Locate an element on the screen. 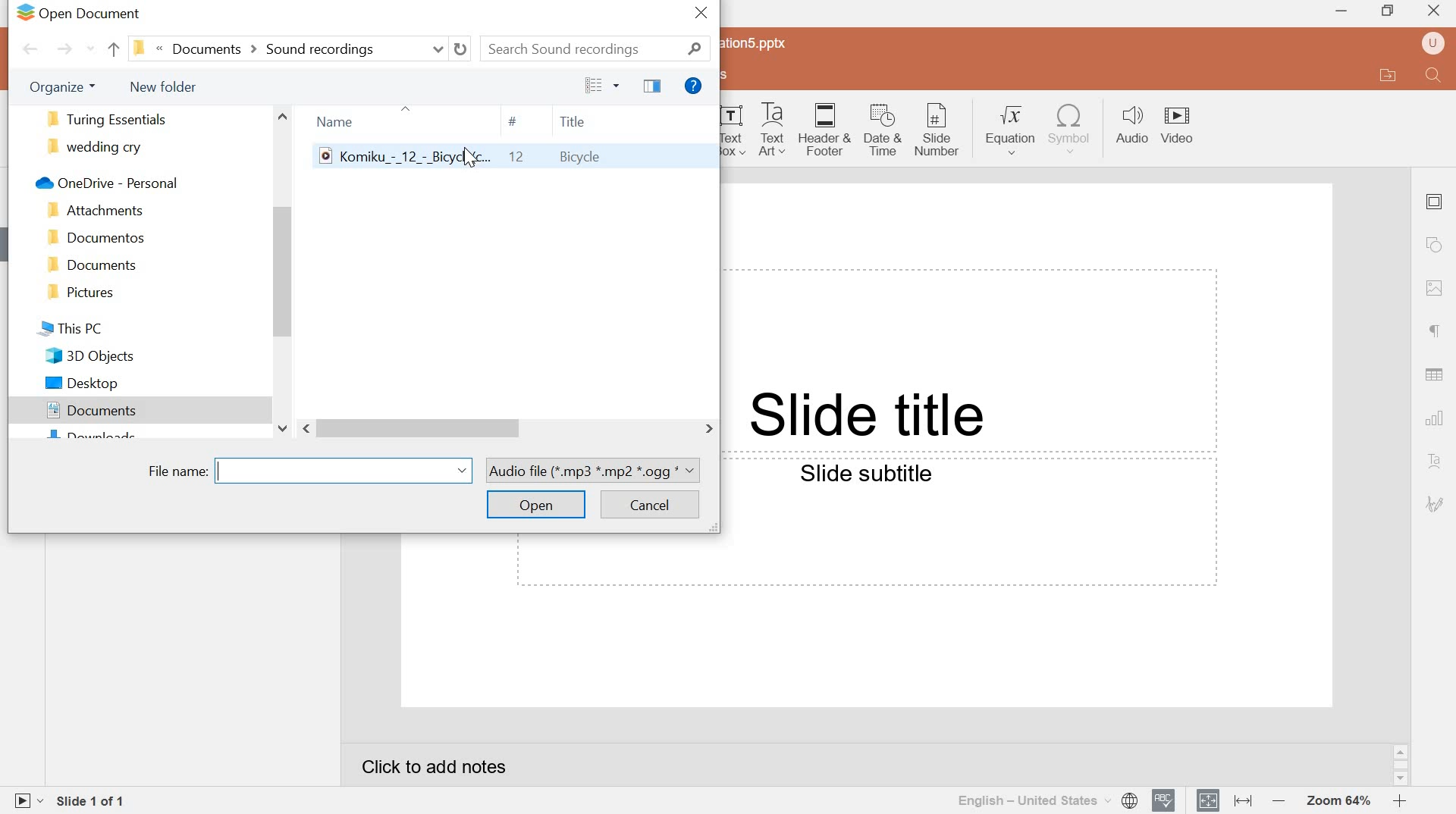  search sound recordings is located at coordinates (597, 49).